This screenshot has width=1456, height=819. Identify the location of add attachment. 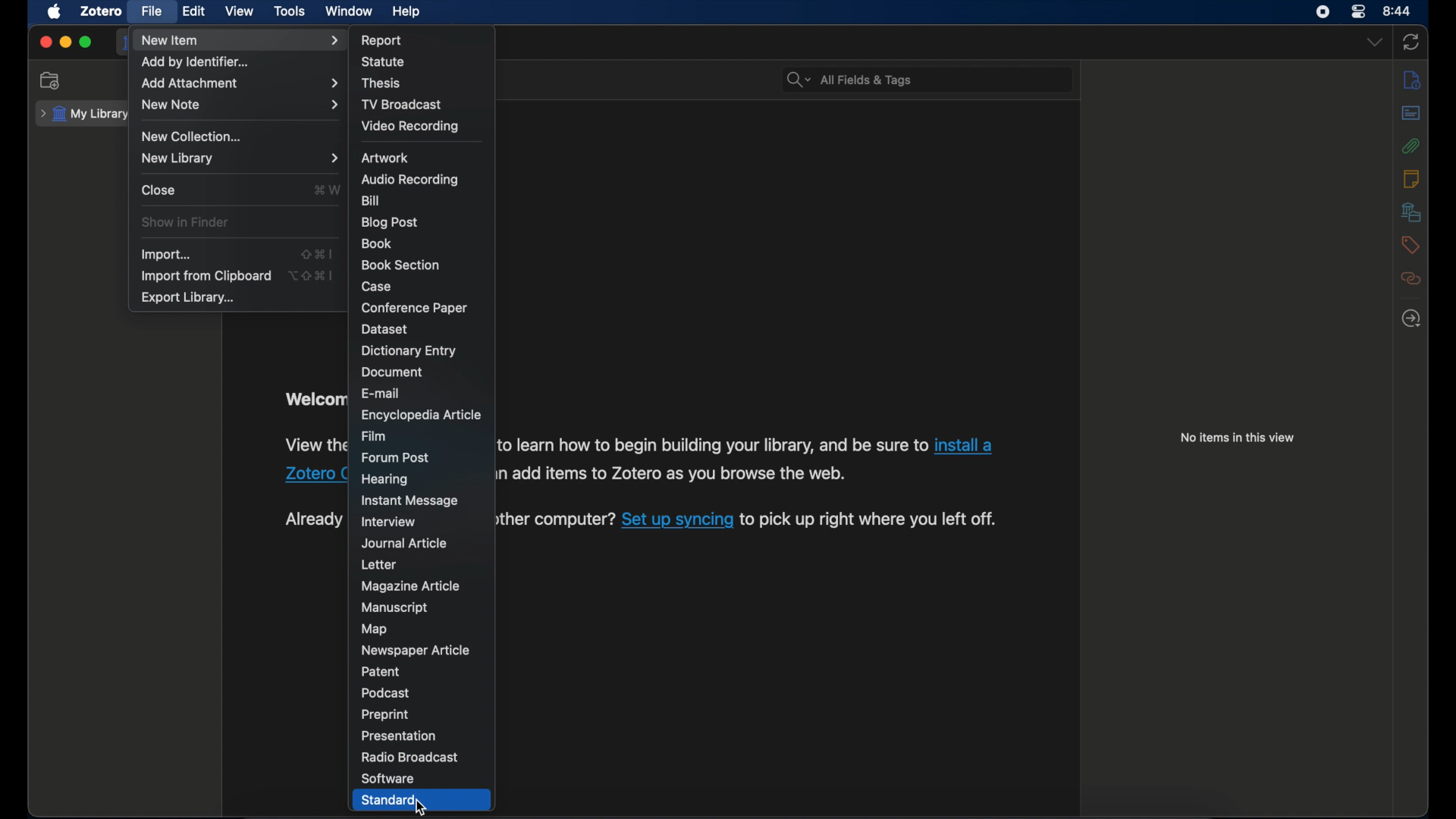
(238, 82).